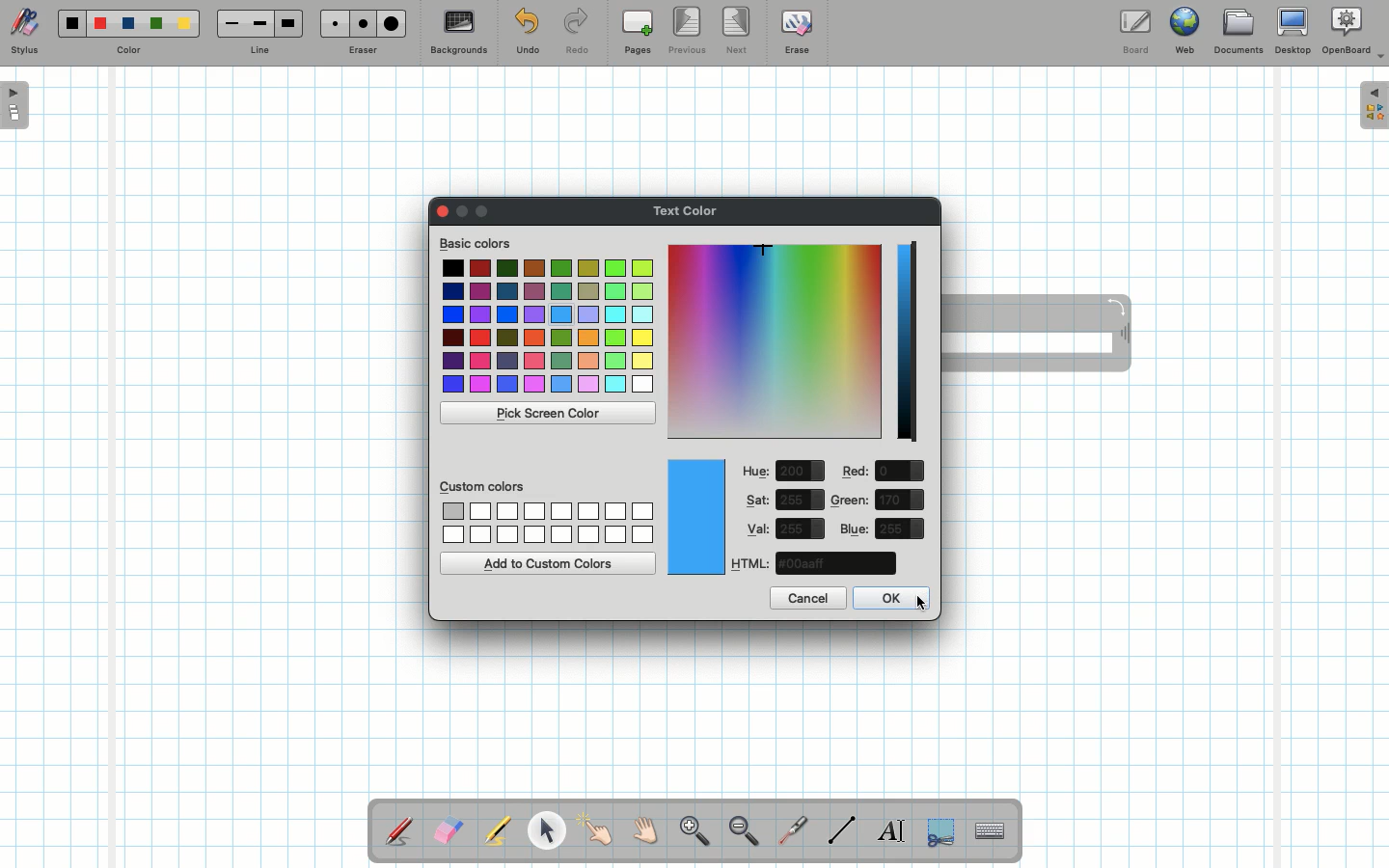  Describe the element at coordinates (646, 833) in the screenshot. I see `Grab` at that location.